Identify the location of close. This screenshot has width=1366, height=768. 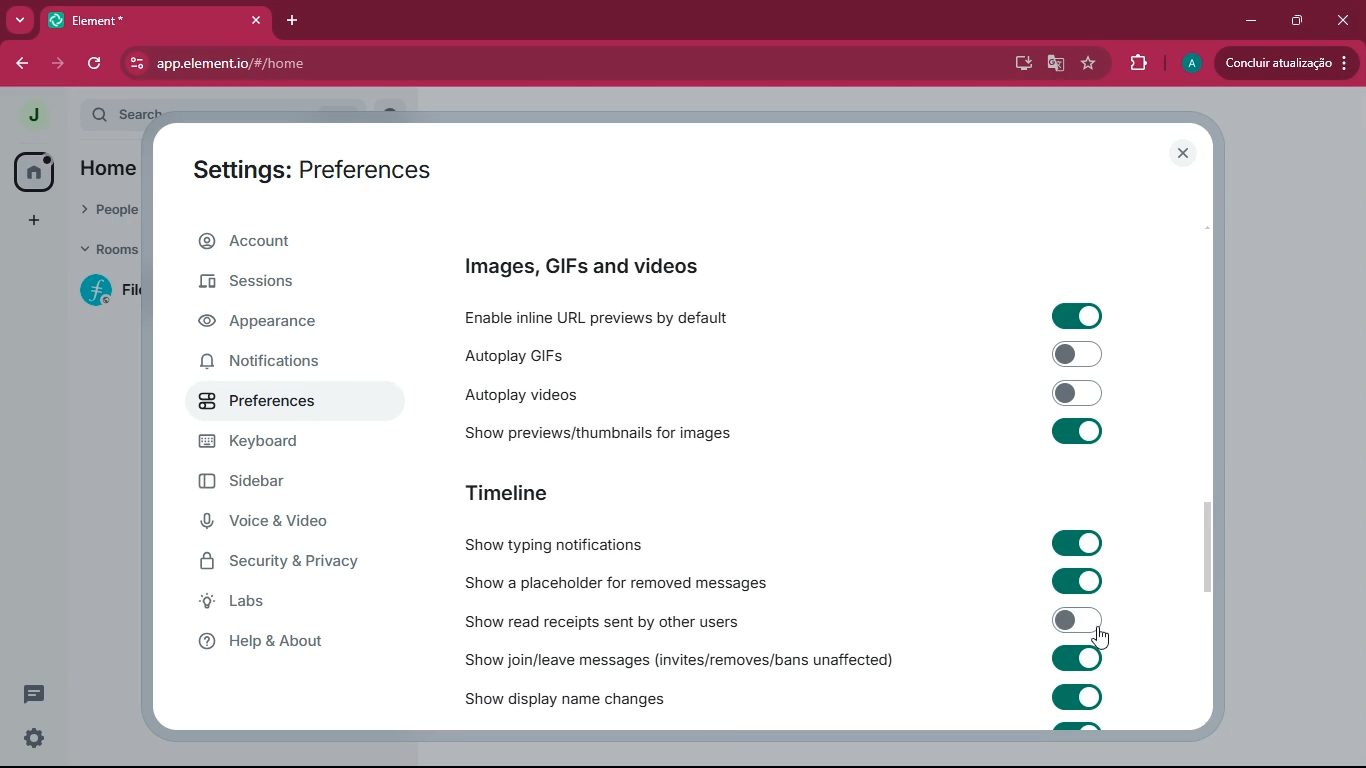
(1182, 153).